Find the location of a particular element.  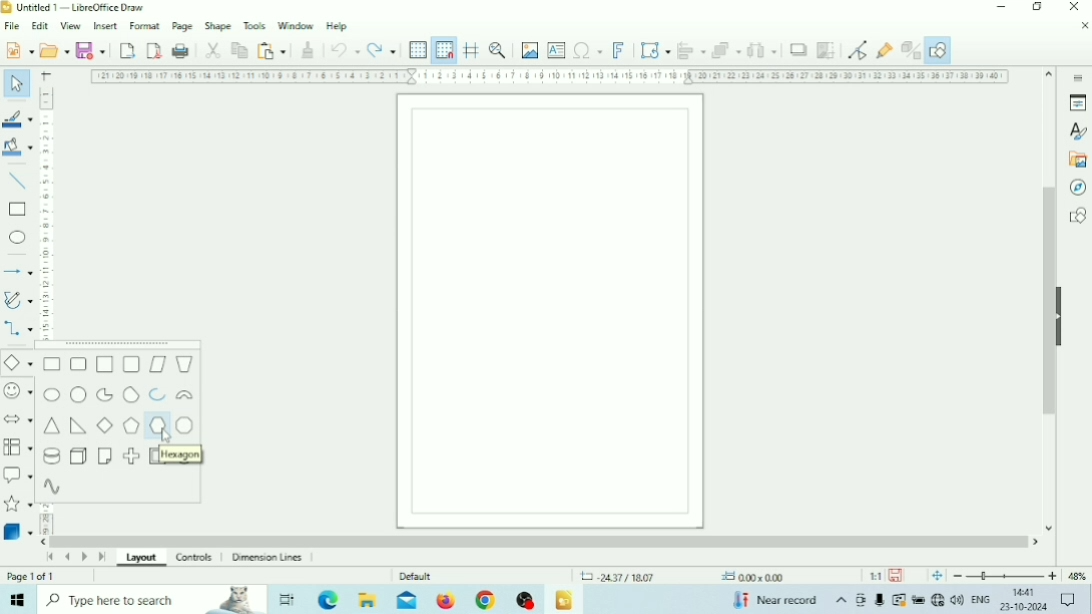

Mic is located at coordinates (880, 600).